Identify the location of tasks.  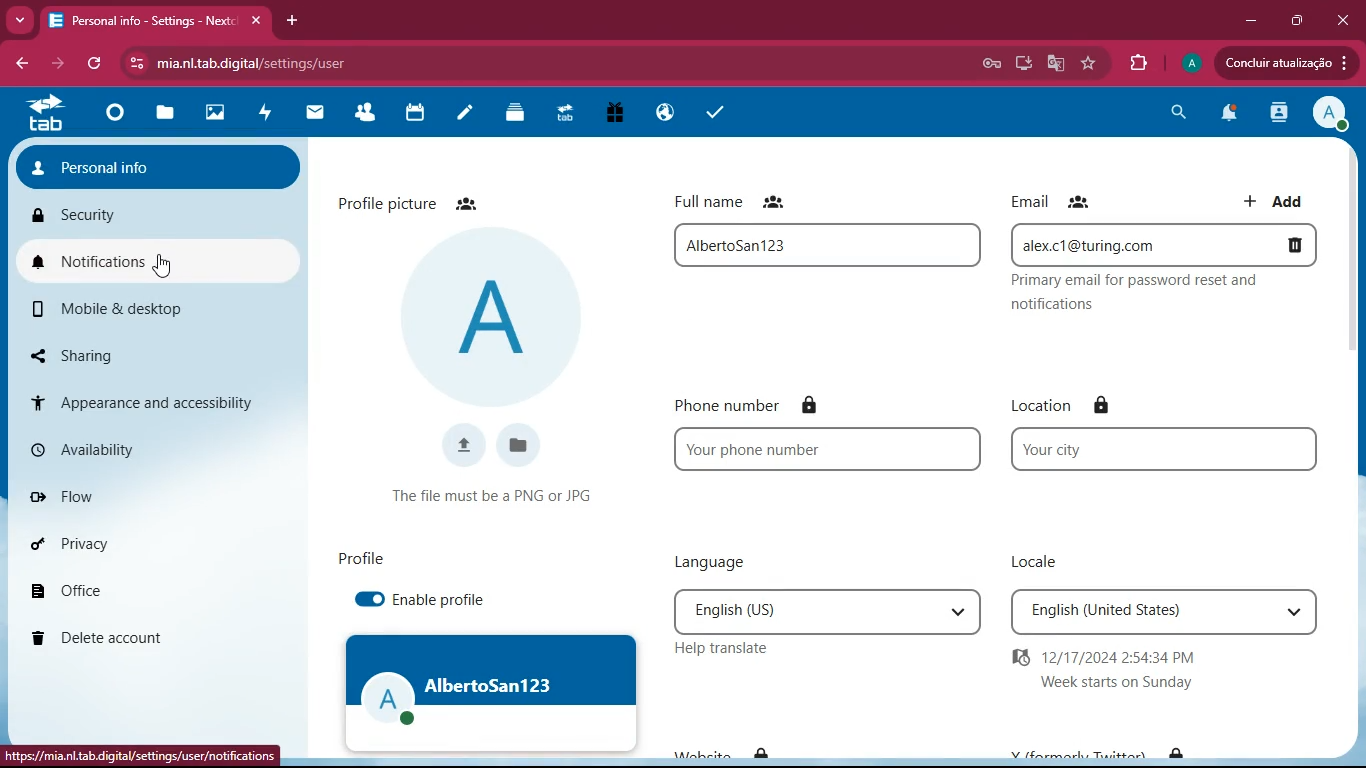
(715, 111).